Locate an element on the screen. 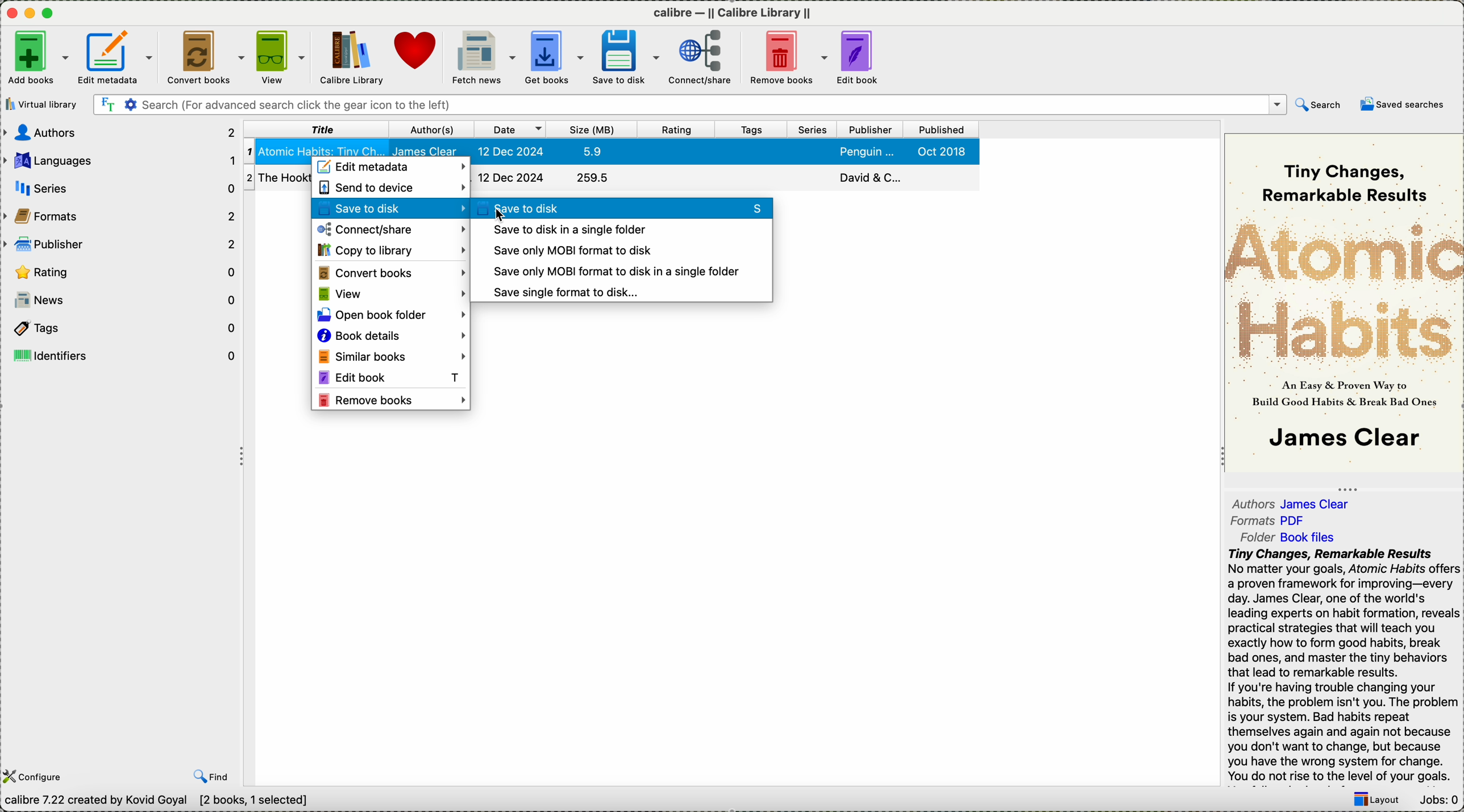 Image resolution: width=1464 pixels, height=812 pixels. fetch news is located at coordinates (483, 58).